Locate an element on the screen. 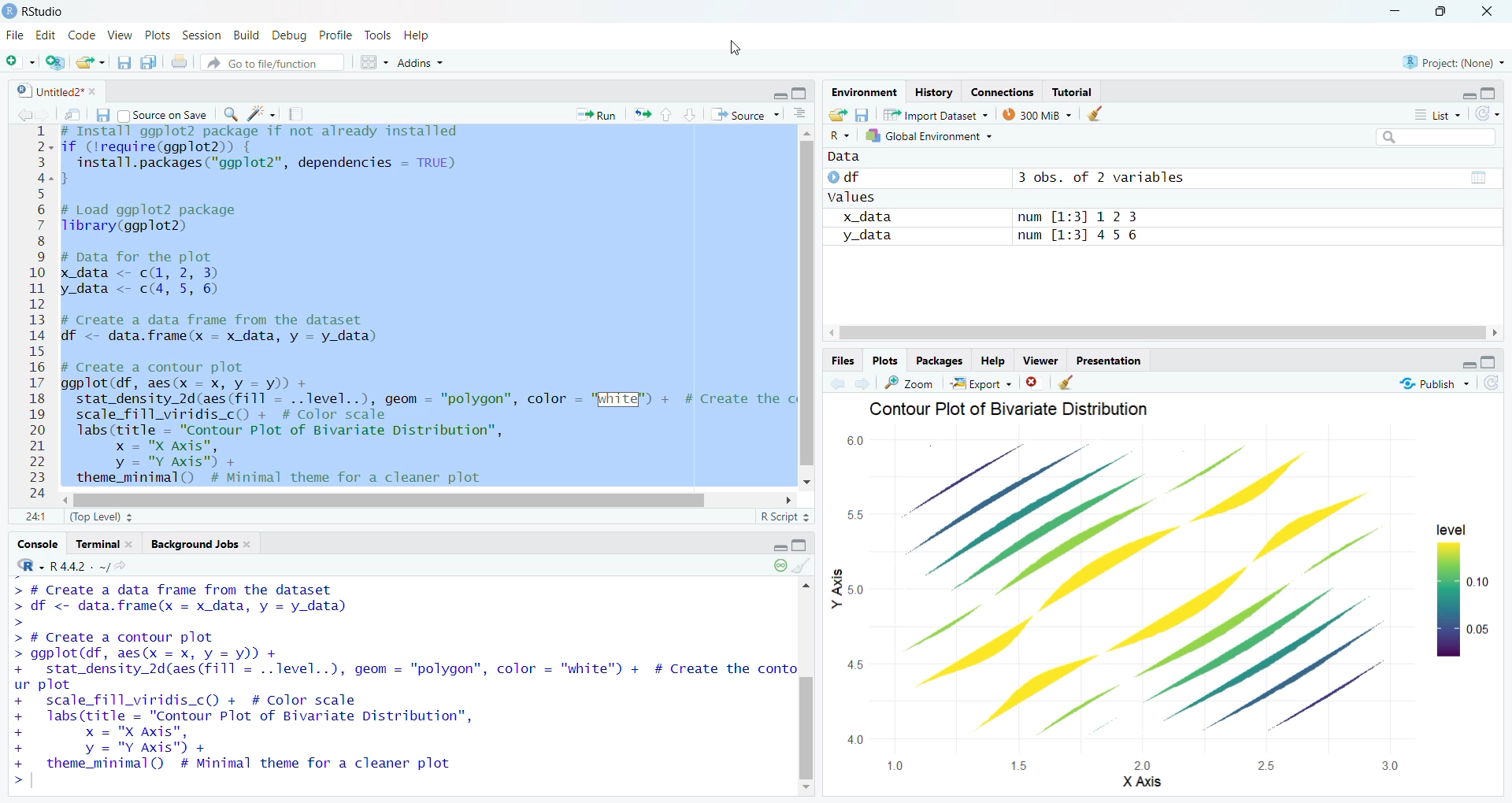 This screenshot has width=1512, height=803. Files is located at coordinates (843, 362).